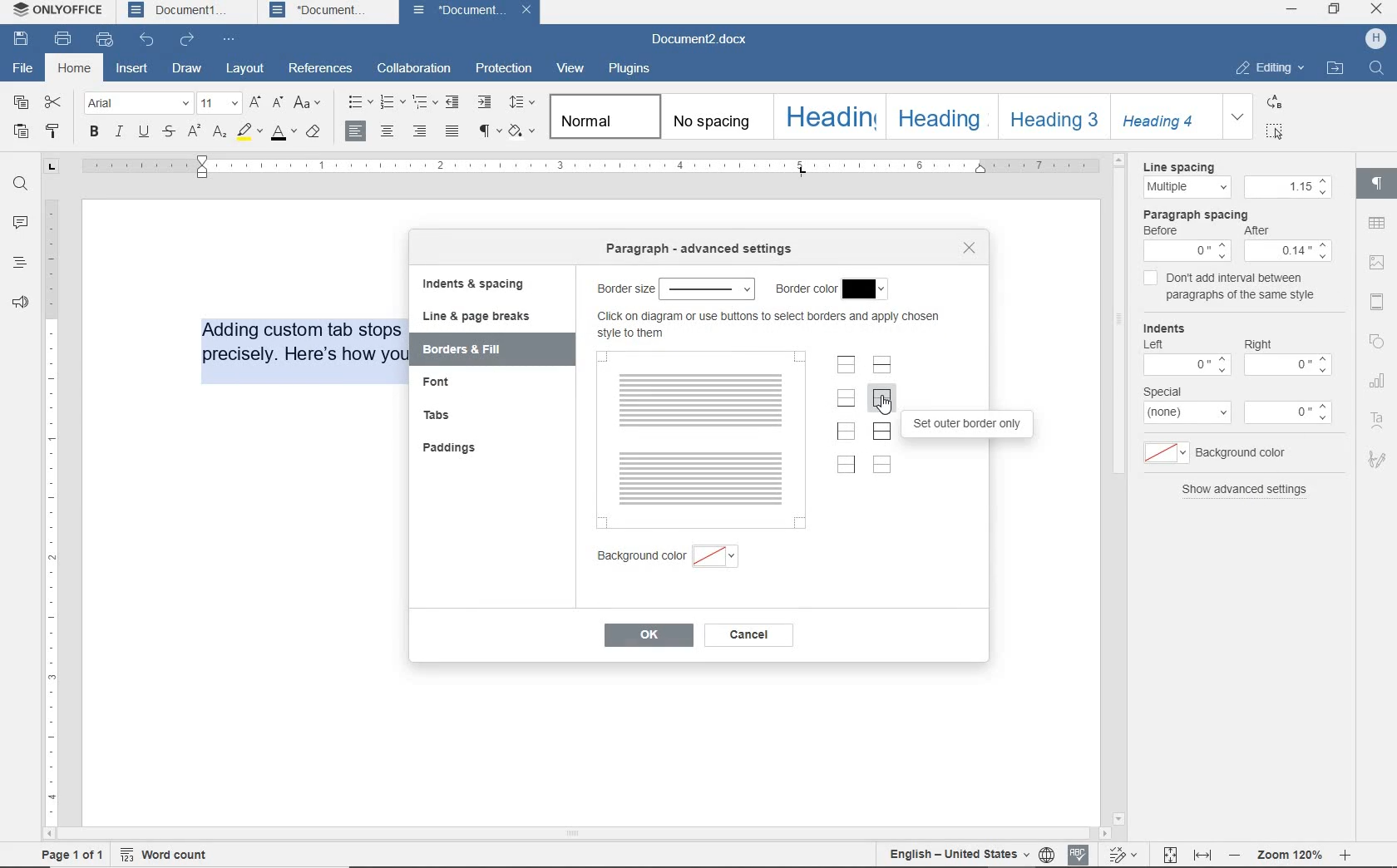  What do you see at coordinates (713, 116) in the screenshot?
I see `no spacing` at bounding box center [713, 116].